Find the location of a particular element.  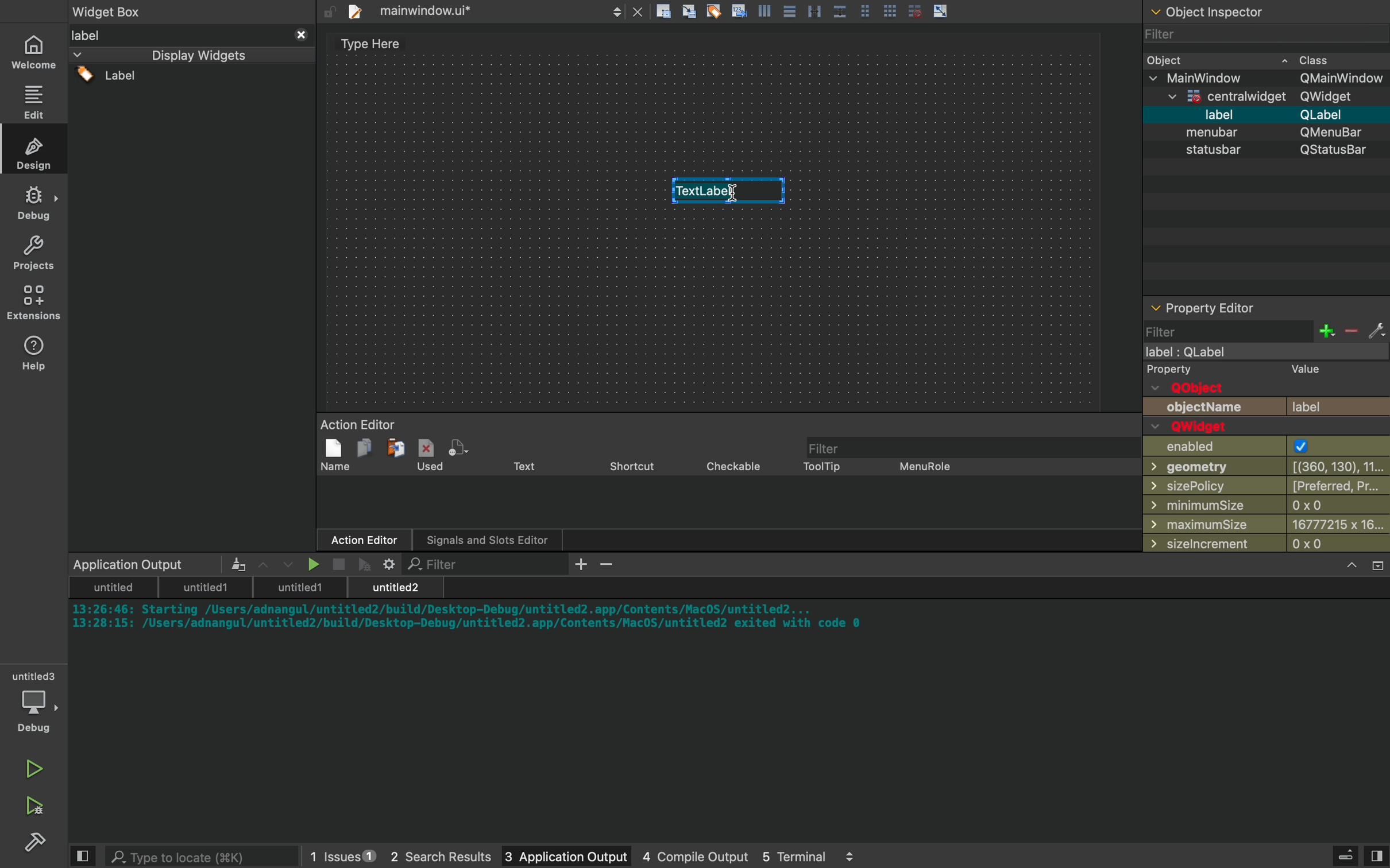

properties of widget is located at coordinates (1268, 427).